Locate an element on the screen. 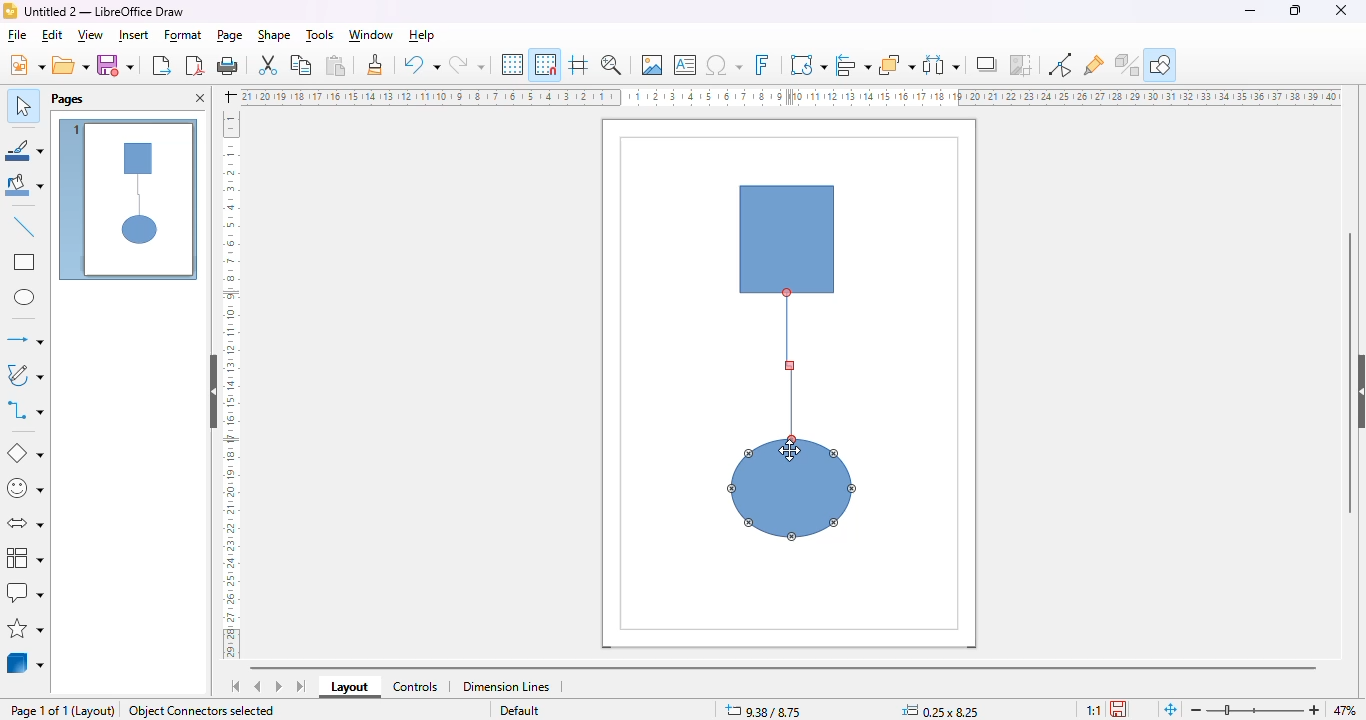  view is located at coordinates (91, 35).